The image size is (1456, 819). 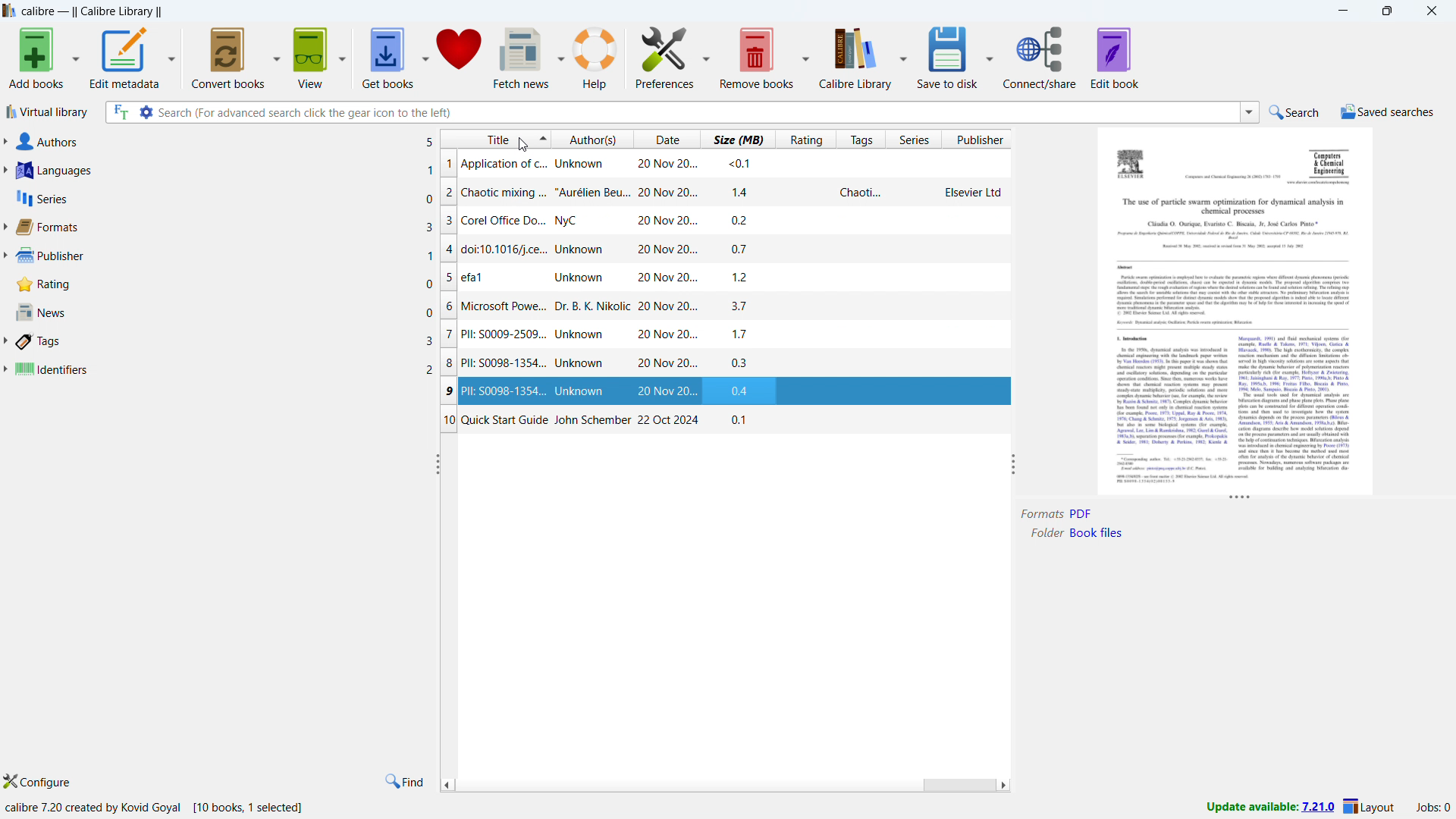 I want to click on fetch news optoins, so click(x=557, y=57).